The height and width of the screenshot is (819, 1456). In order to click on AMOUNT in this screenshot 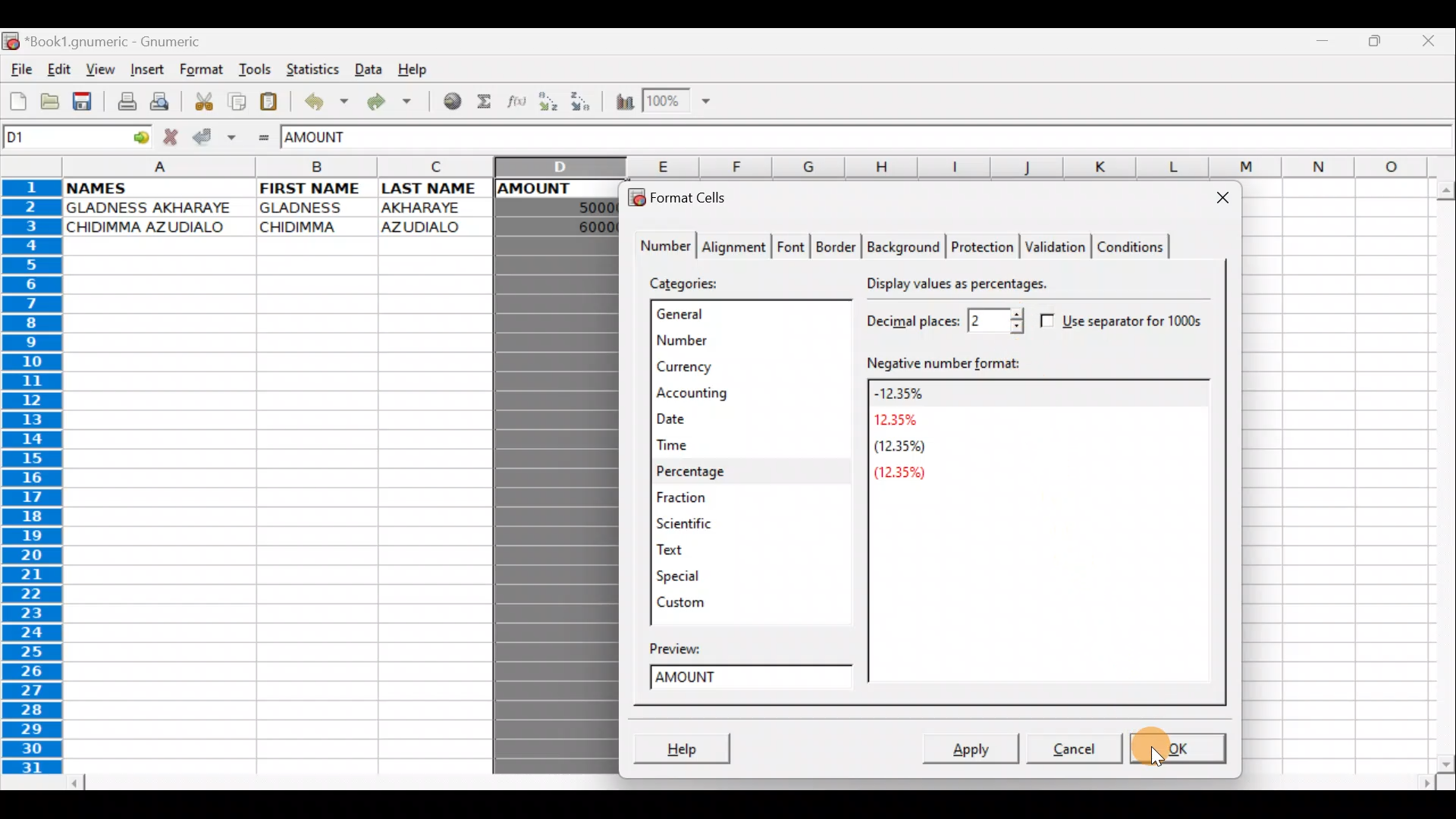, I will do `click(551, 187)`.